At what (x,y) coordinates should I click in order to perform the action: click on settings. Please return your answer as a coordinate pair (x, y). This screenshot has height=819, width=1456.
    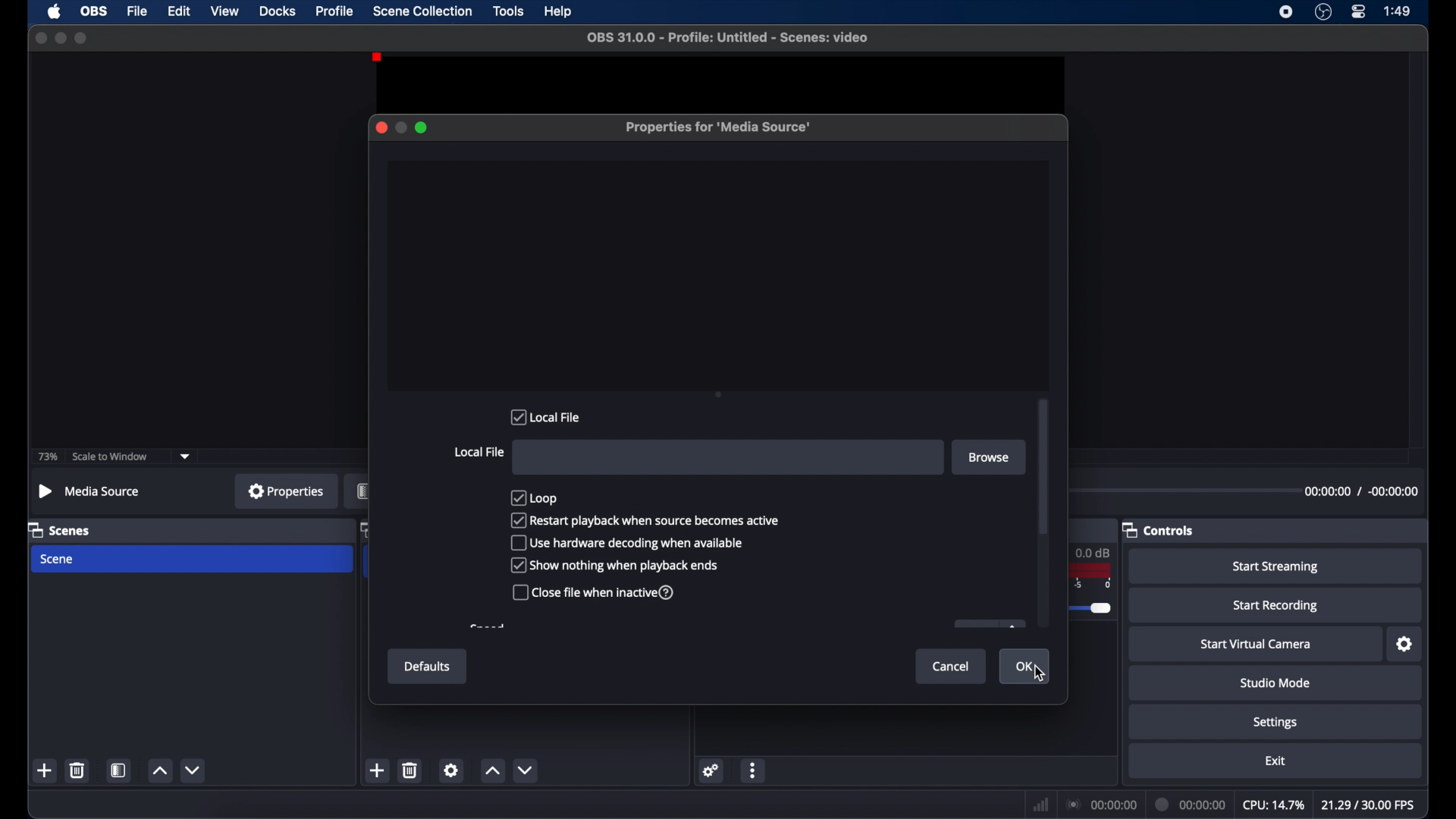
    Looking at the image, I should click on (711, 770).